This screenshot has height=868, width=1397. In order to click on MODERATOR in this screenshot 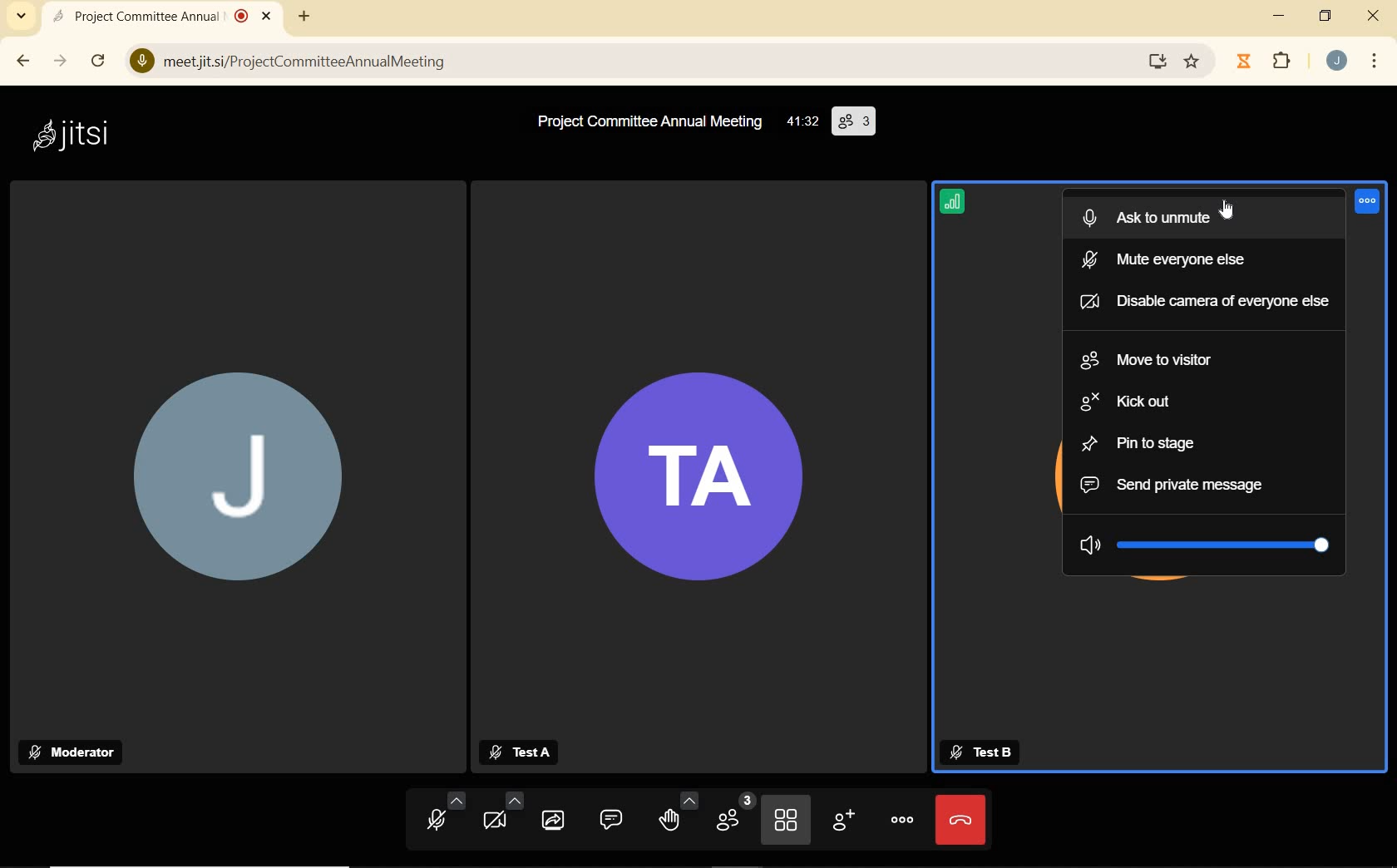, I will do `click(74, 752)`.